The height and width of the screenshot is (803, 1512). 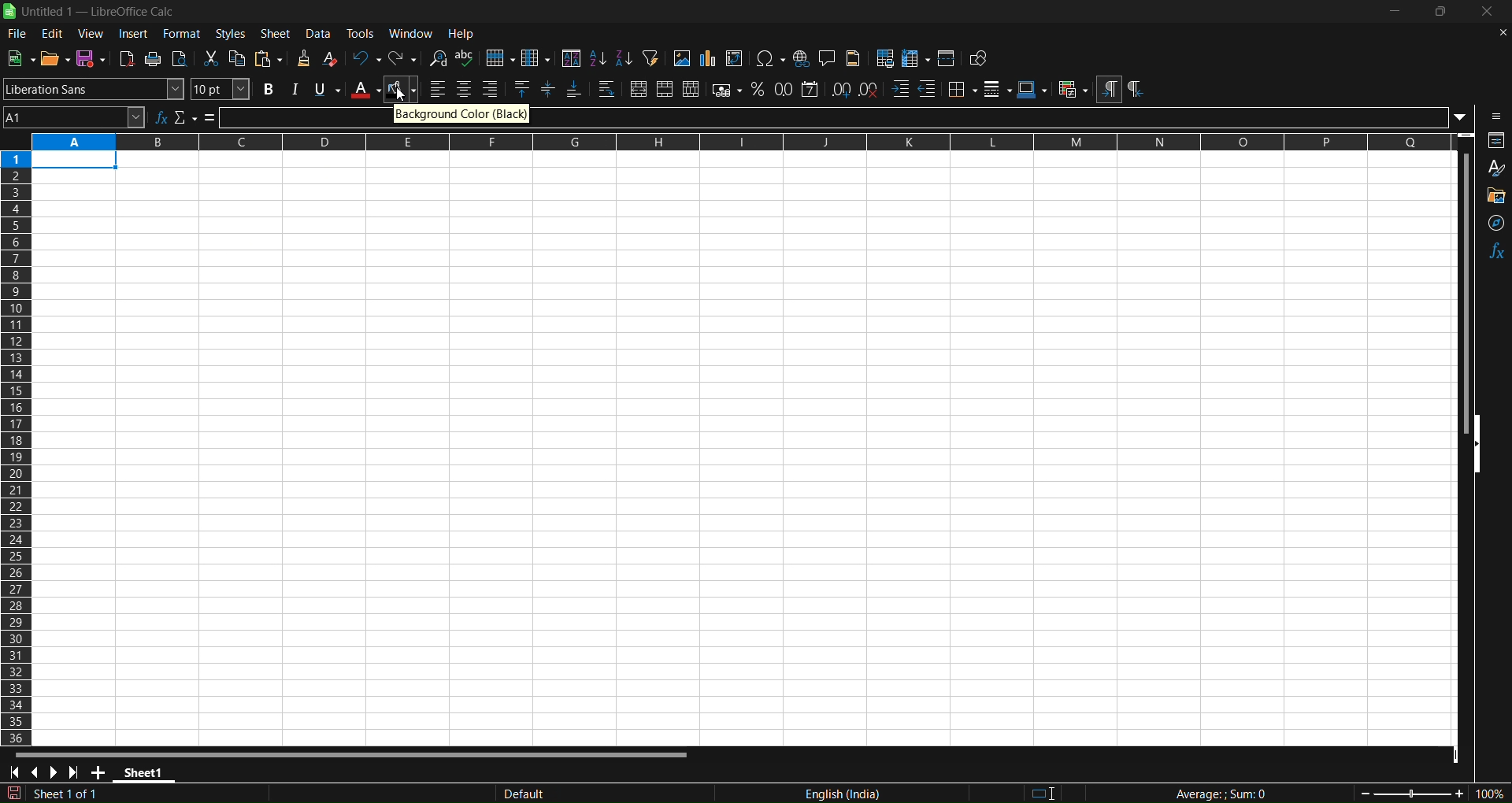 I want to click on data, so click(x=318, y=34).